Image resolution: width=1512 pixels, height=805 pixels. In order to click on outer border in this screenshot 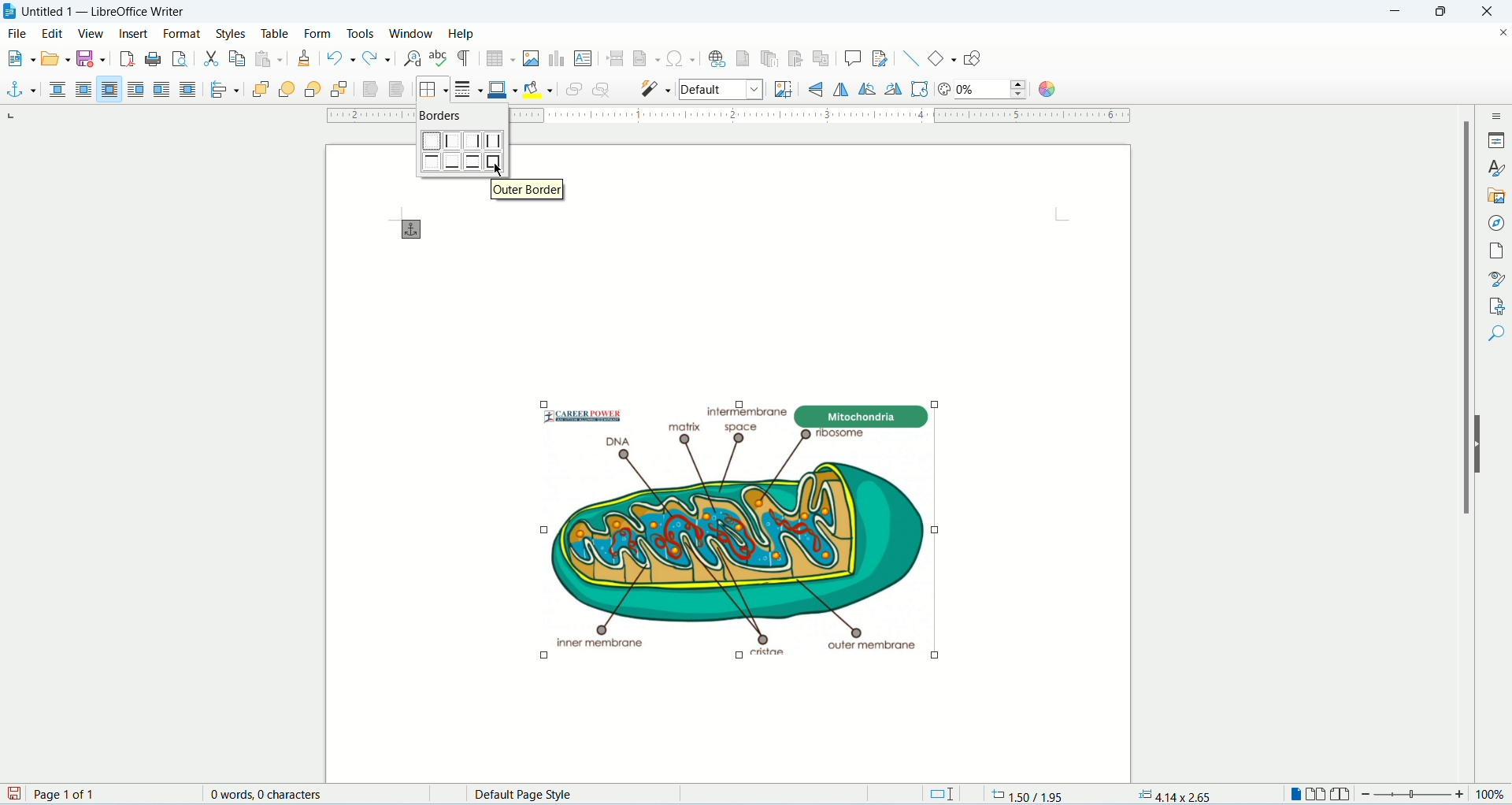, I will do `click(527, 189)`.